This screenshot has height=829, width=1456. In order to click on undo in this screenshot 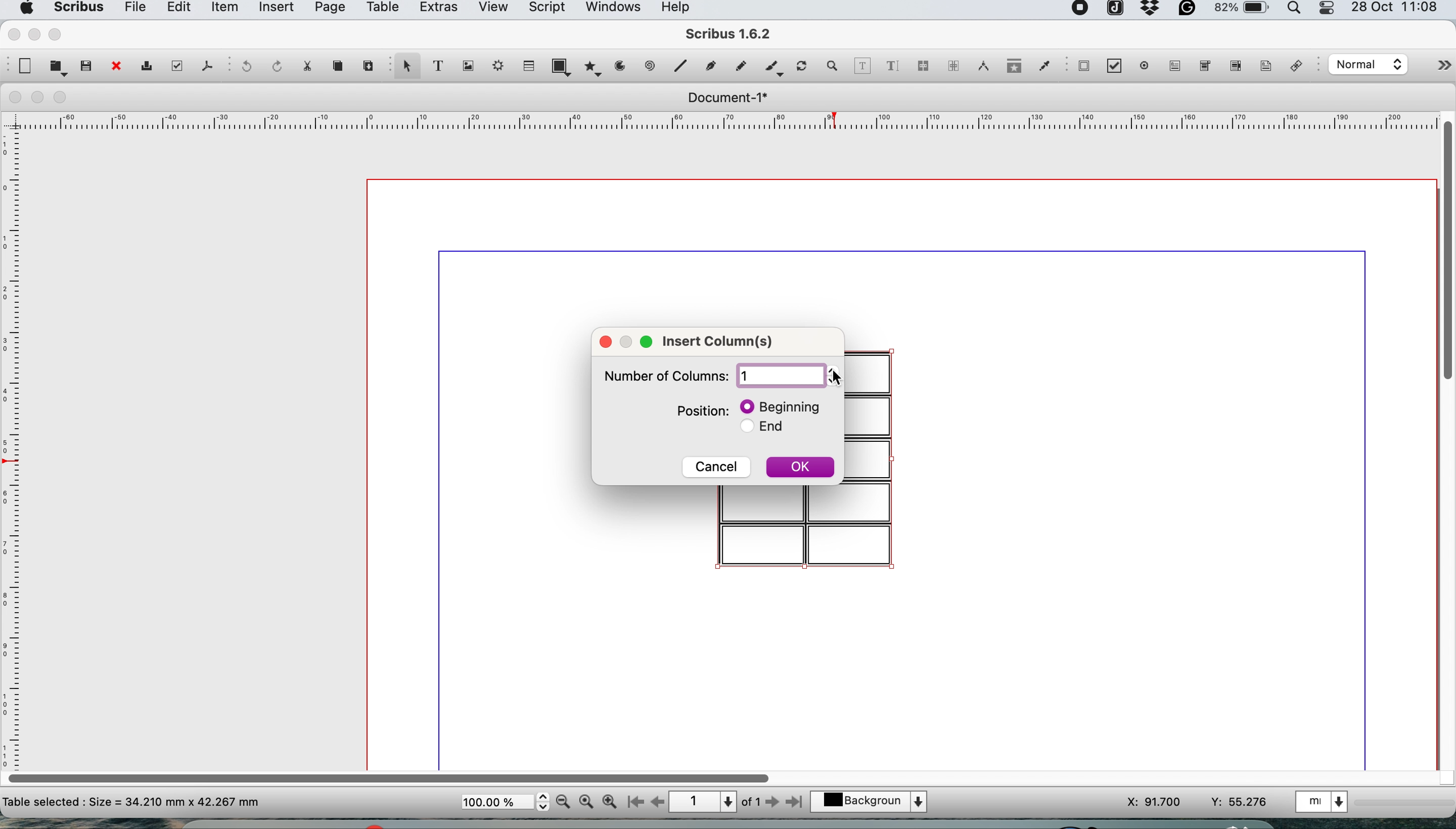, I will do `click(244, 67)`.